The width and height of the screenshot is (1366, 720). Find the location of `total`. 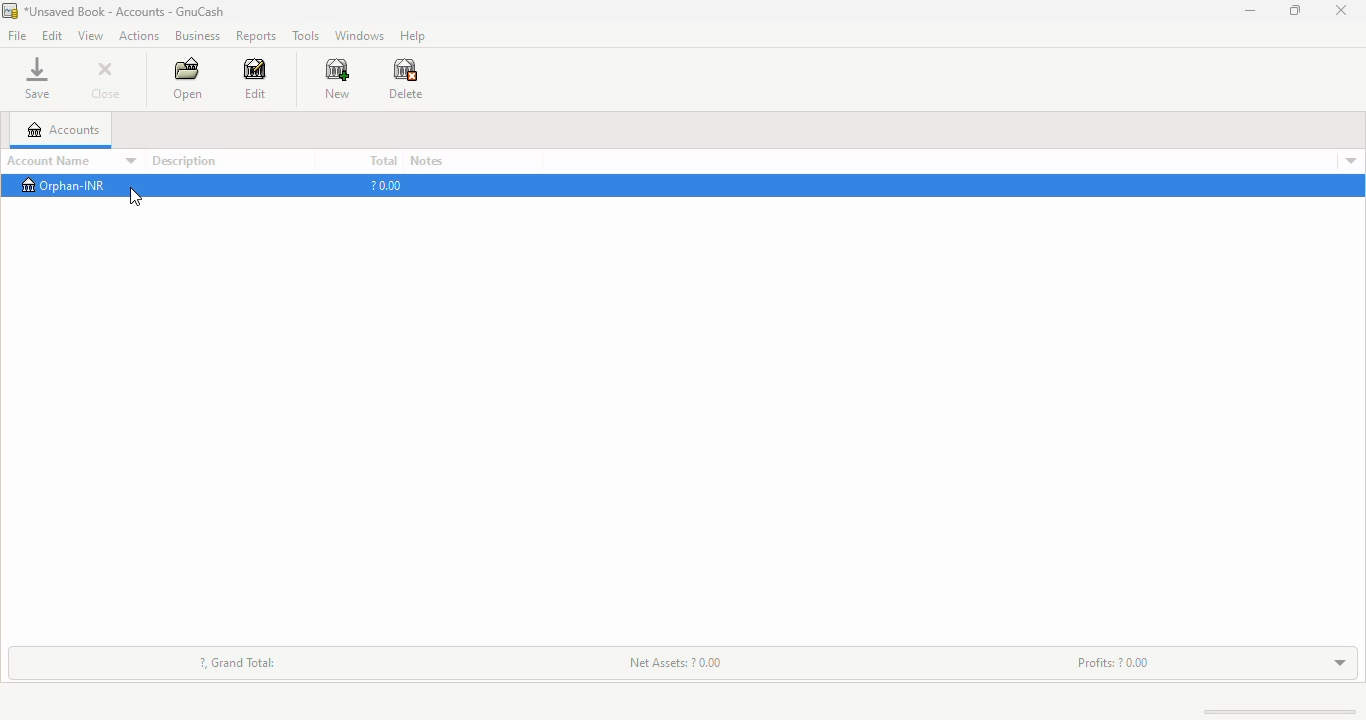

total is located at coordinates (384, 160).